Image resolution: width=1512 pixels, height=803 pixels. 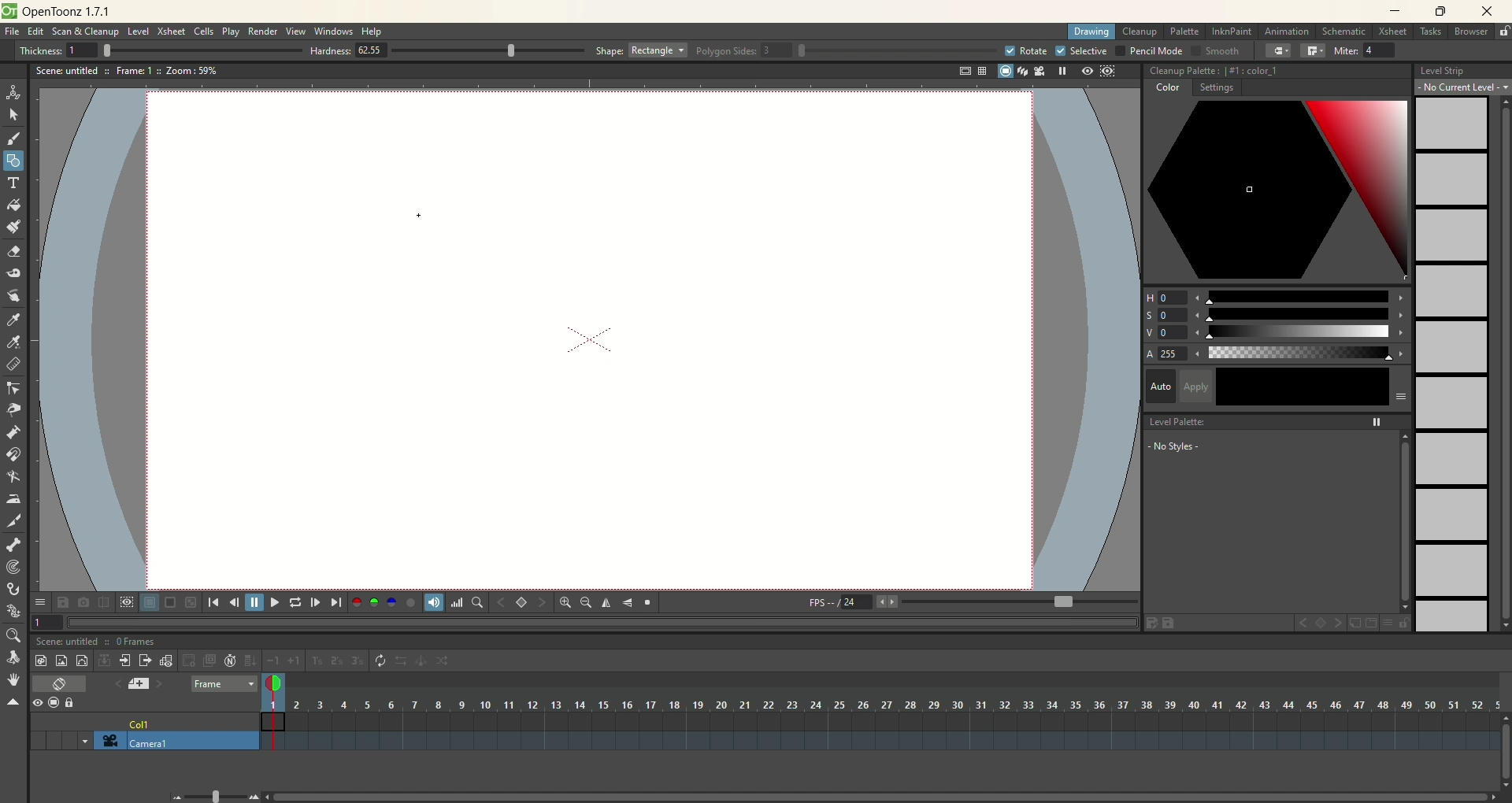 I want to click on toggle Xsheet, so click(x=61, y=685).